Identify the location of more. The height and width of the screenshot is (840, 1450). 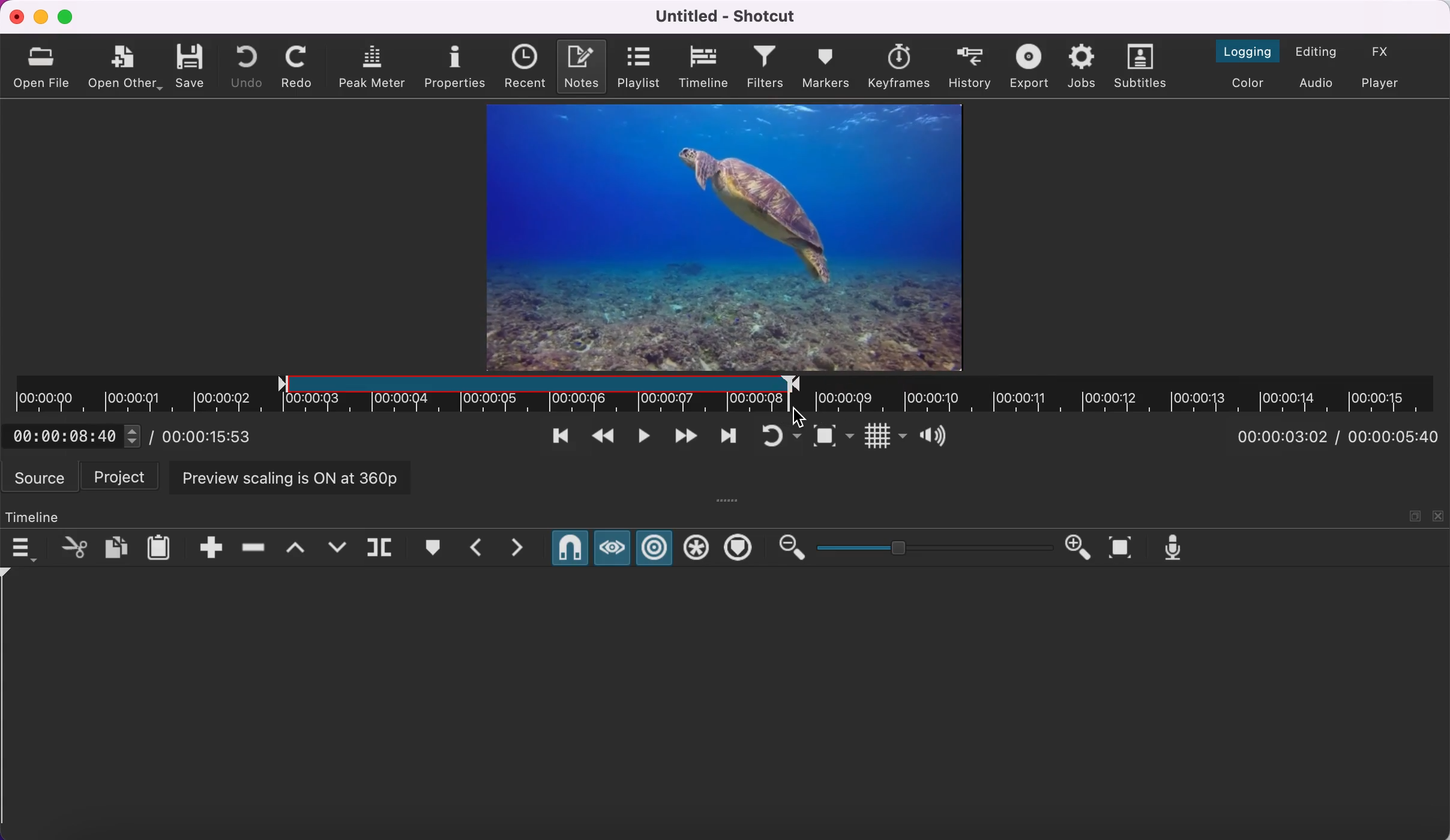
(730, 499).